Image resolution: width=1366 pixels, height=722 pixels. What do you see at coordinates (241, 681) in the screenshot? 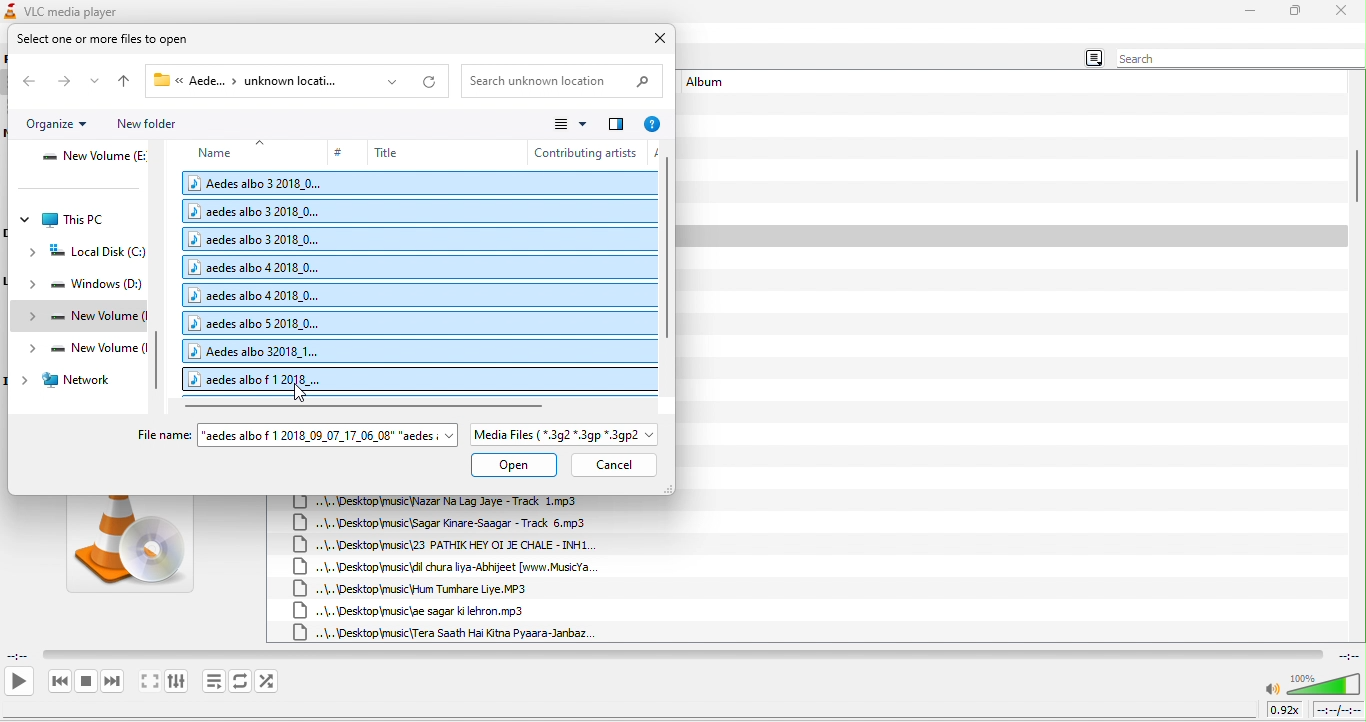
I see `toggle between loop all` at bounding box center [241, 681].